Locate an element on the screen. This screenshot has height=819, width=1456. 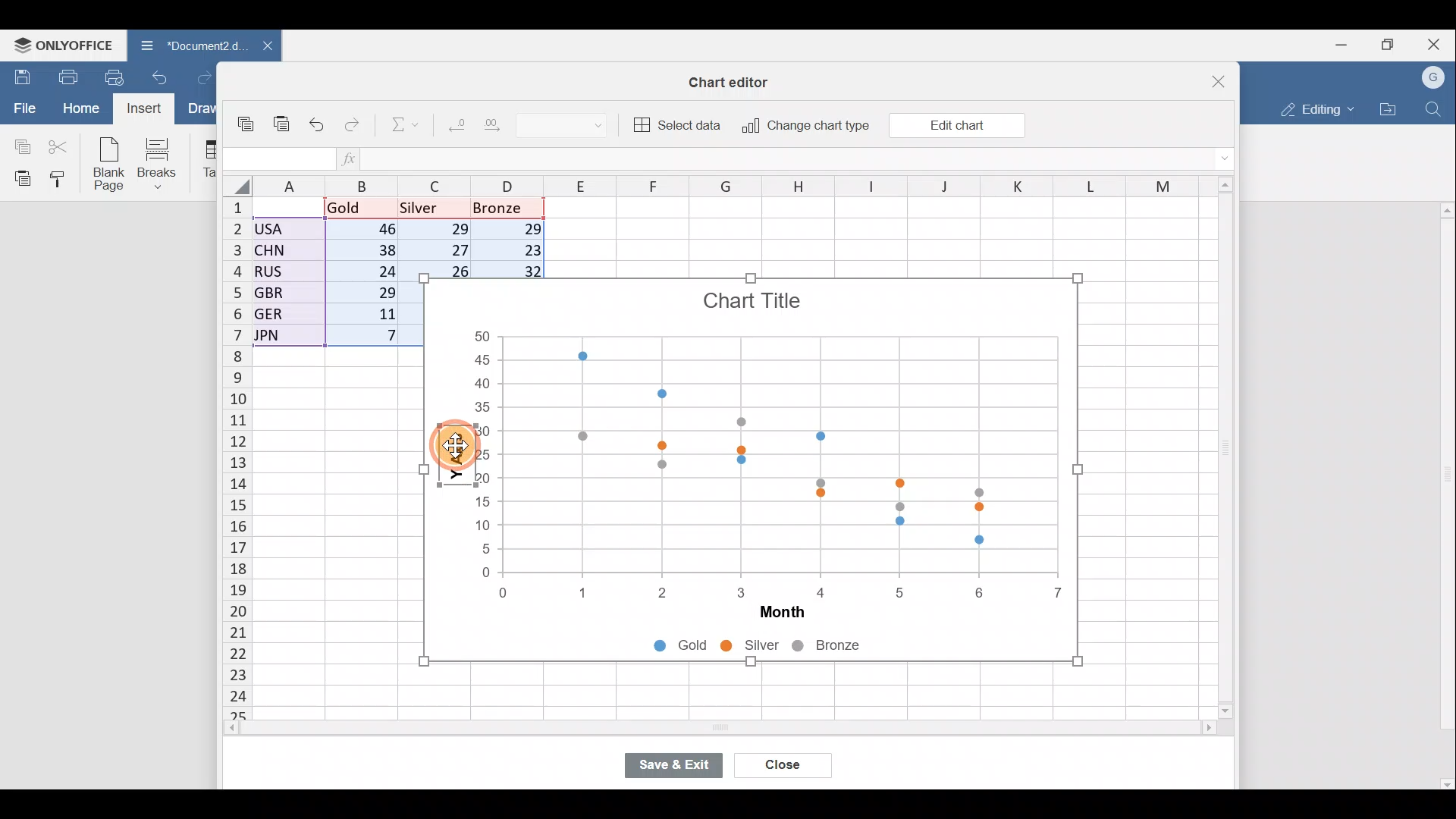
Paste is located at coordinates (283, 117).